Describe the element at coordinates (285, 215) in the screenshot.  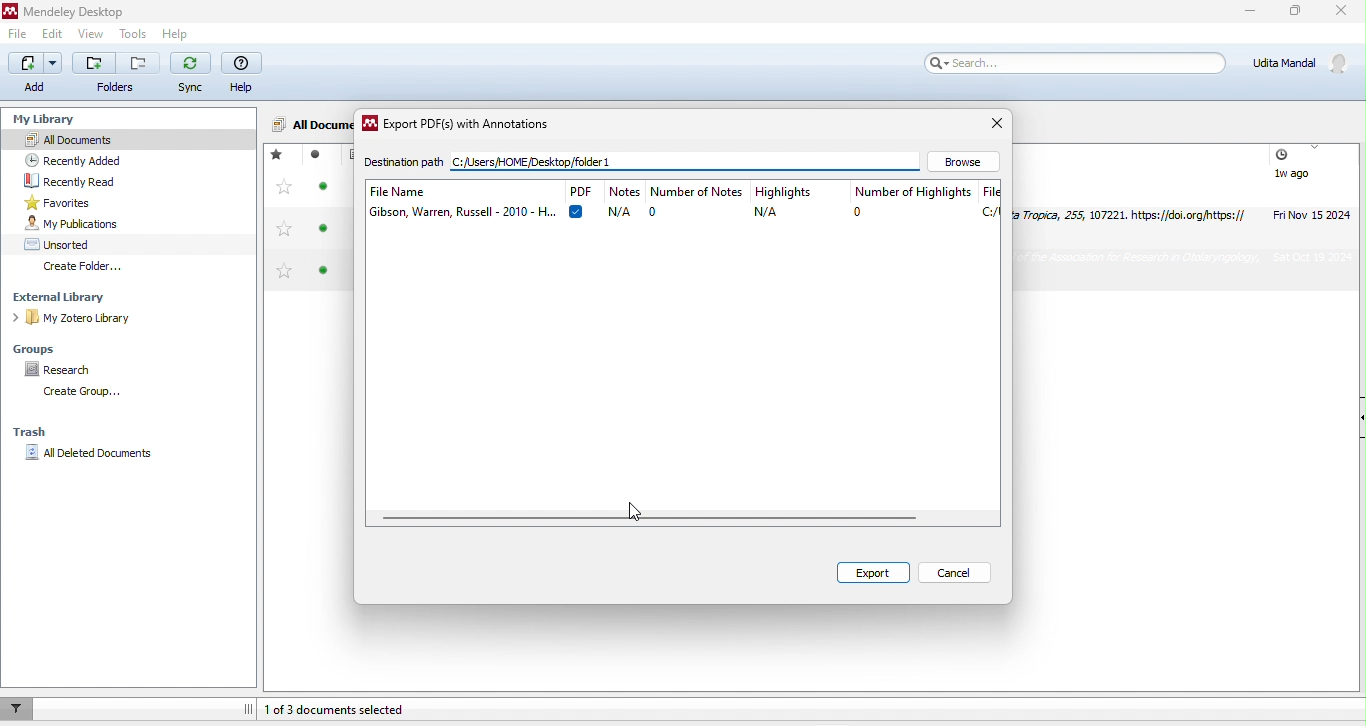
I see `add this reference to favourites` at that location.